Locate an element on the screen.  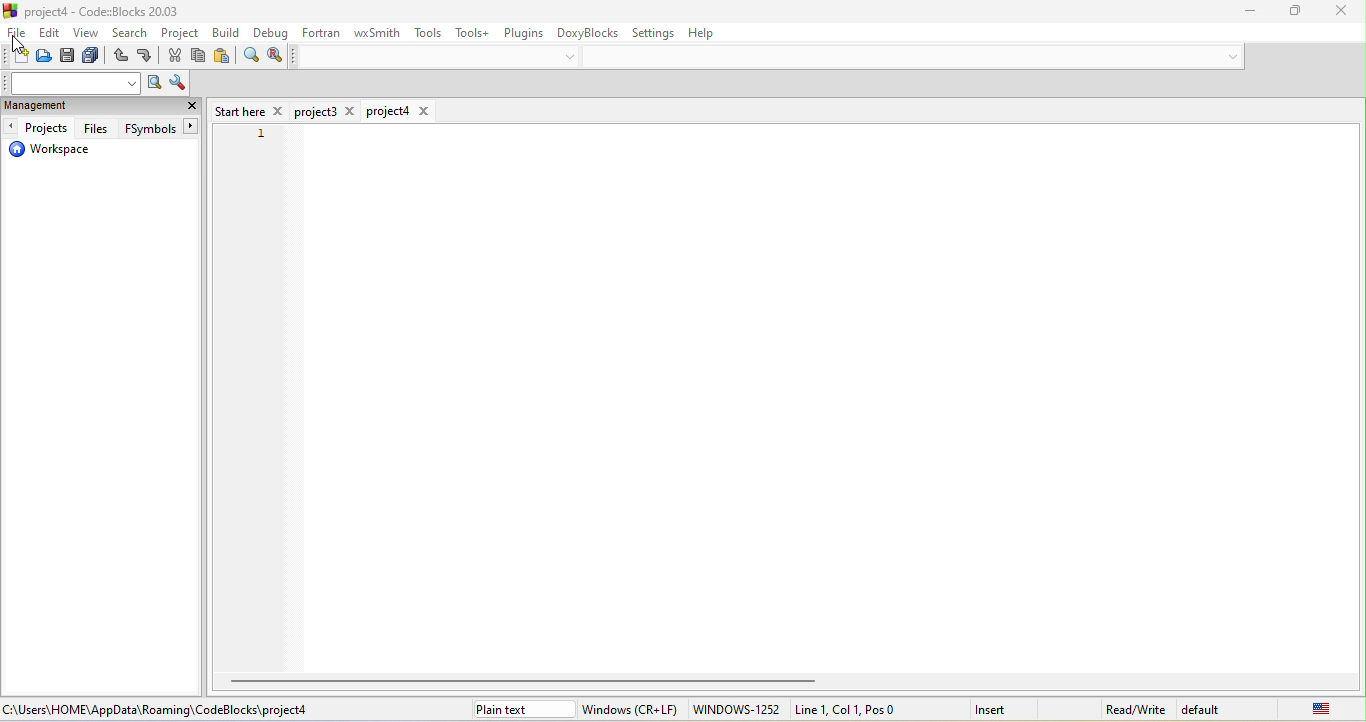
minimize is located at coordinates (1240, 12).